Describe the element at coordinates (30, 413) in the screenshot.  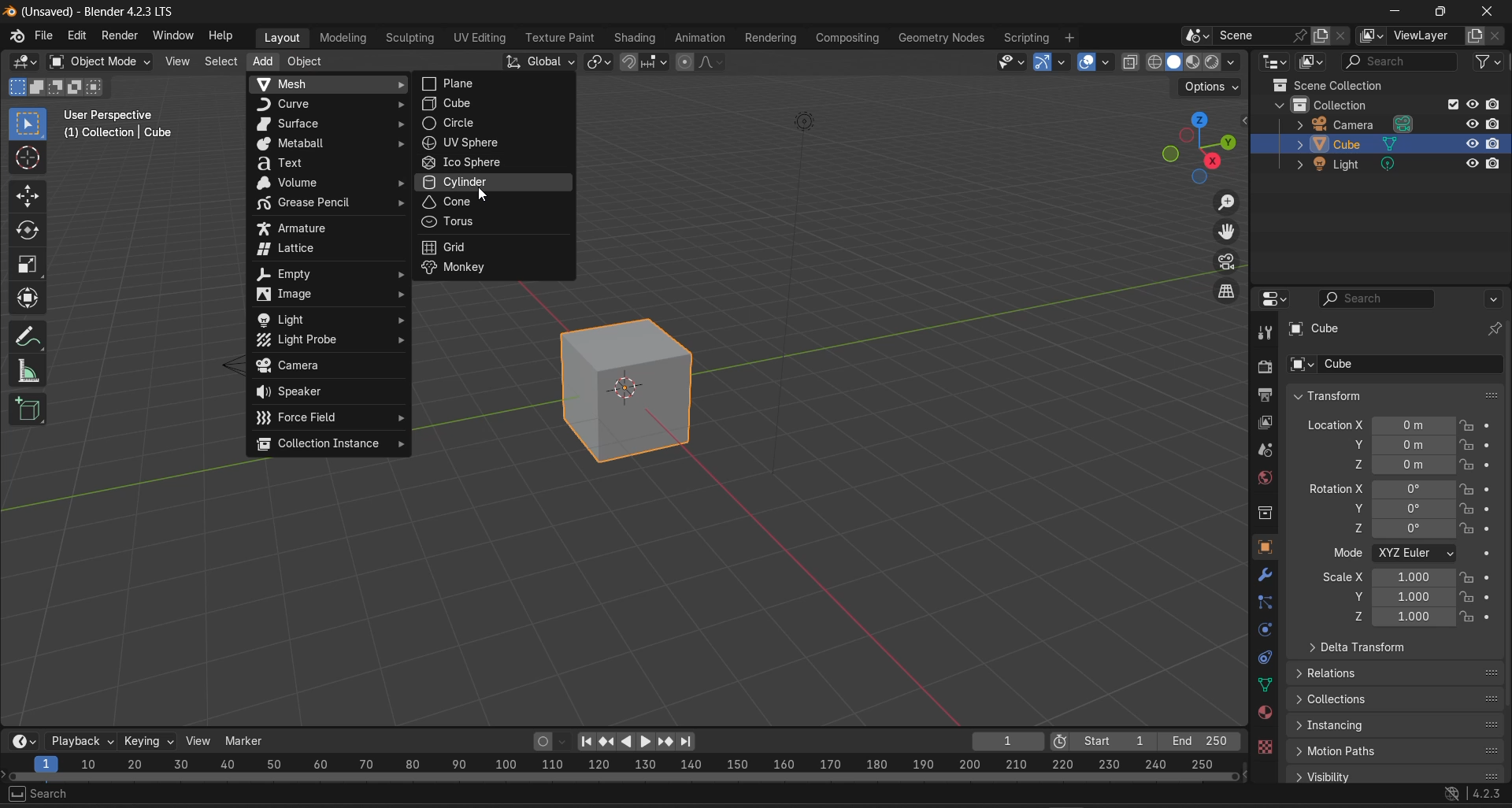
I see `add cube` at that location.